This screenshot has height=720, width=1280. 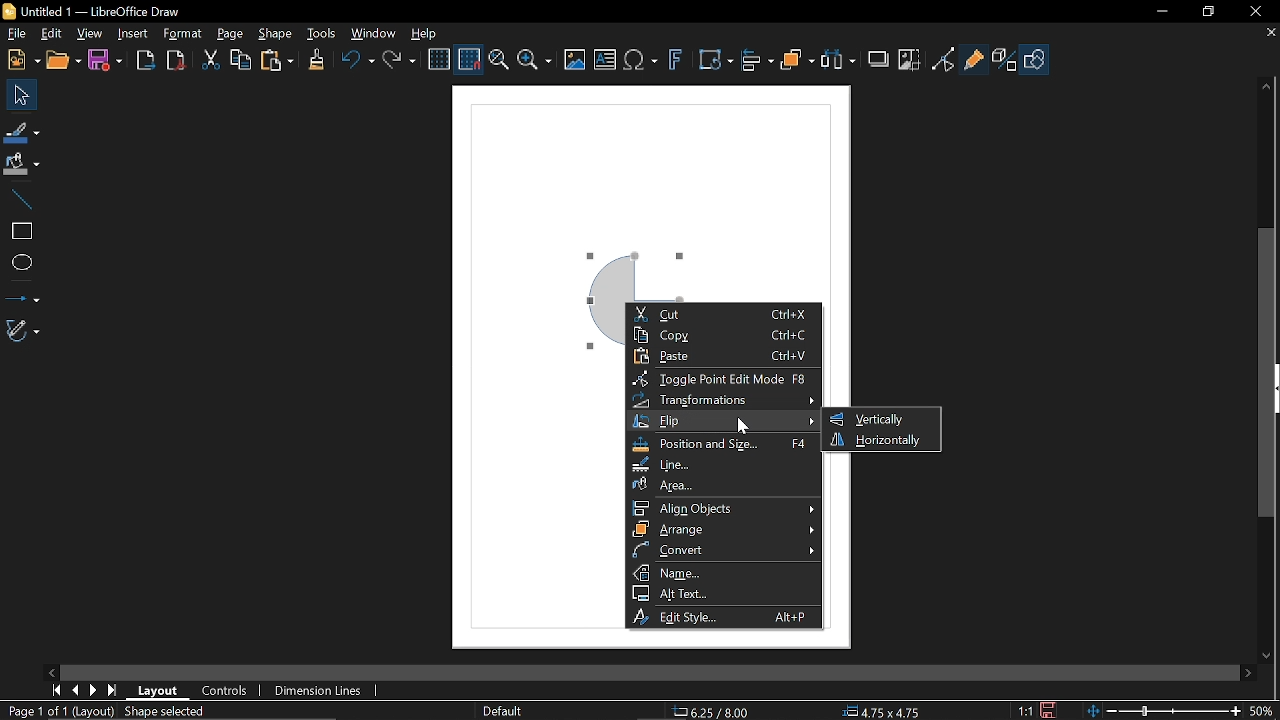 I want to click on Help, so click(x=426, y=34).